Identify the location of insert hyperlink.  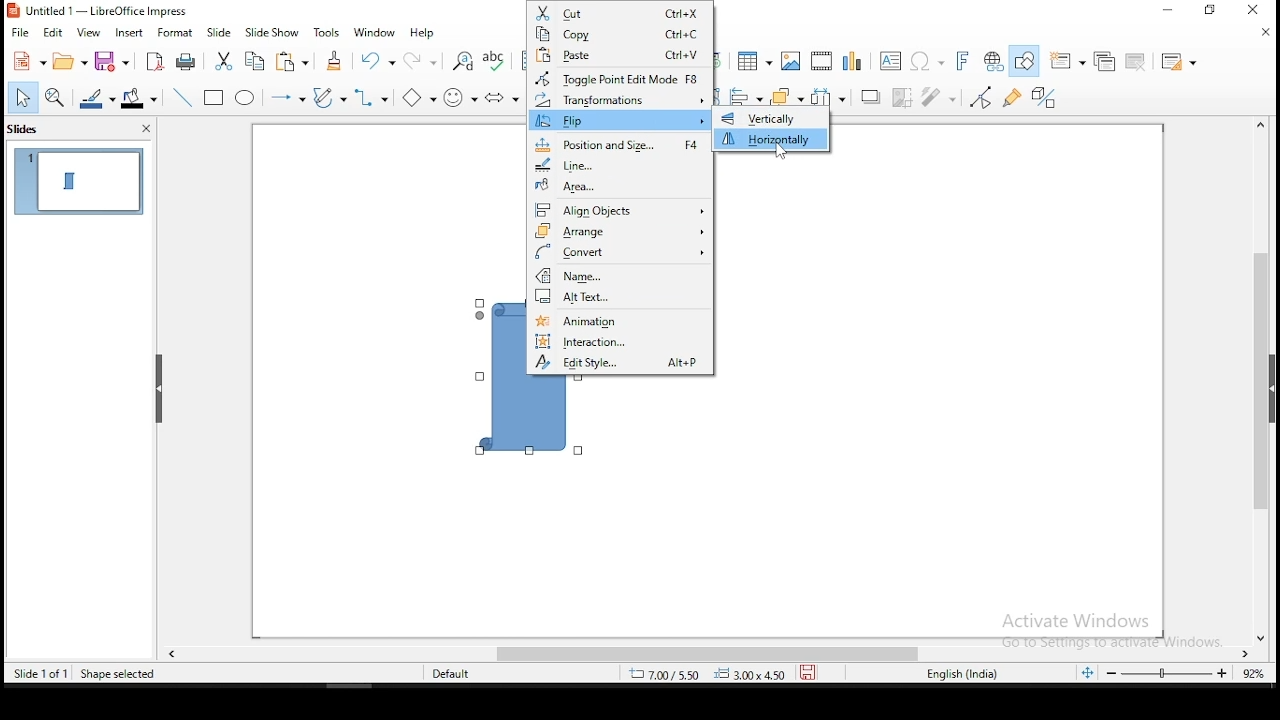
(994, 59).